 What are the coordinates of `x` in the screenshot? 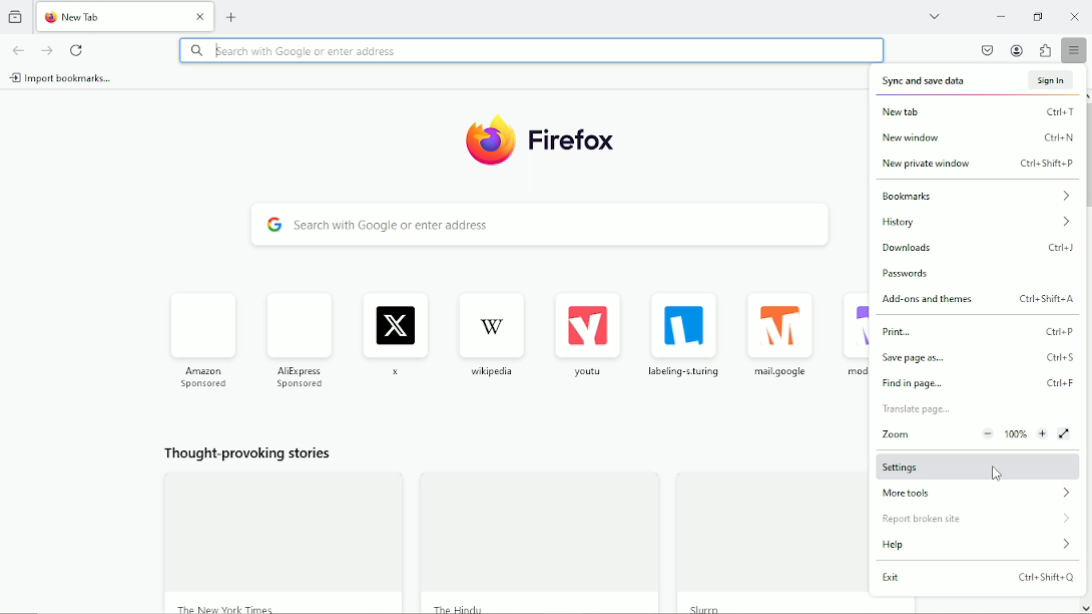 It's located at (394, 335).